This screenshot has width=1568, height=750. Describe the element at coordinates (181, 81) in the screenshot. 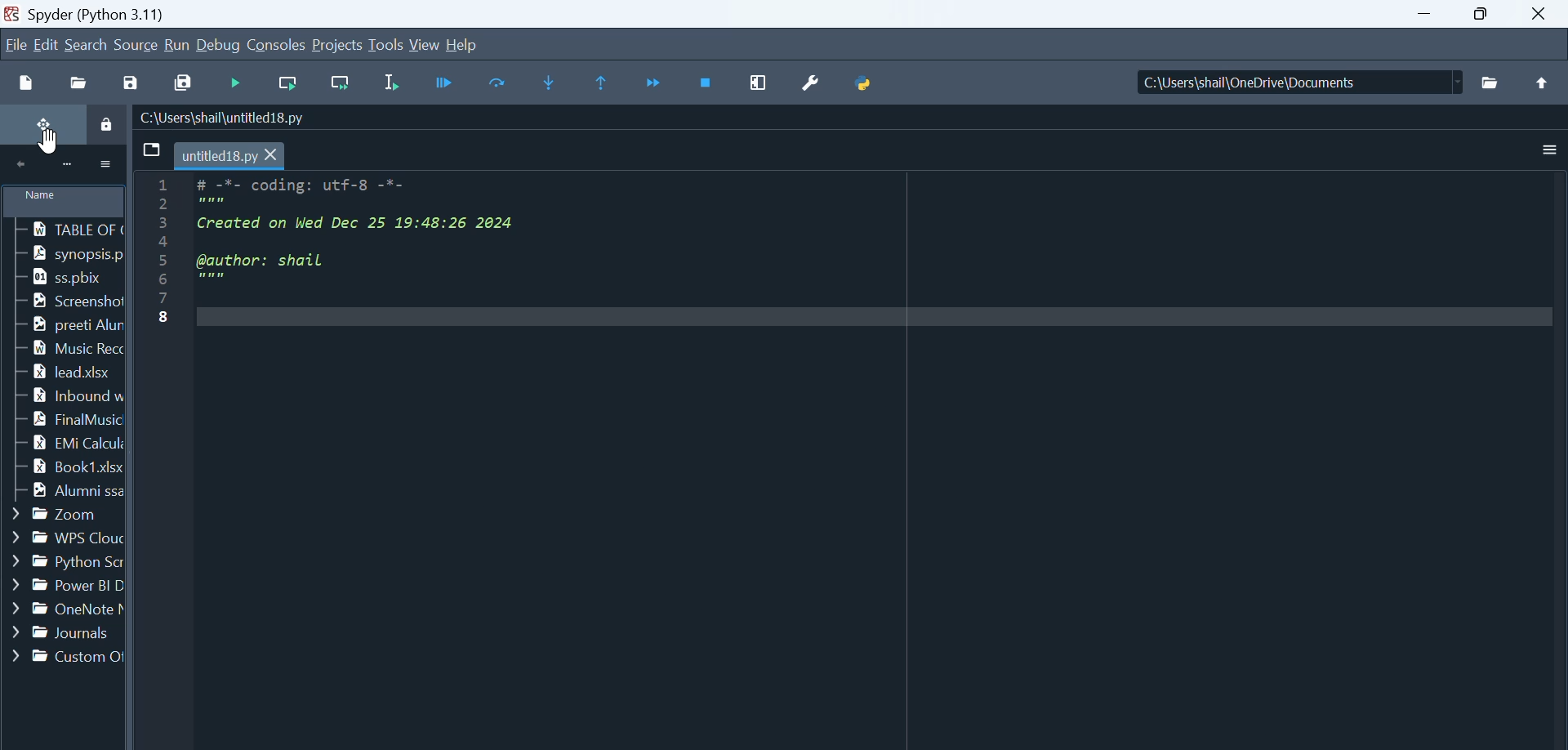

I see `Save all` at that location.